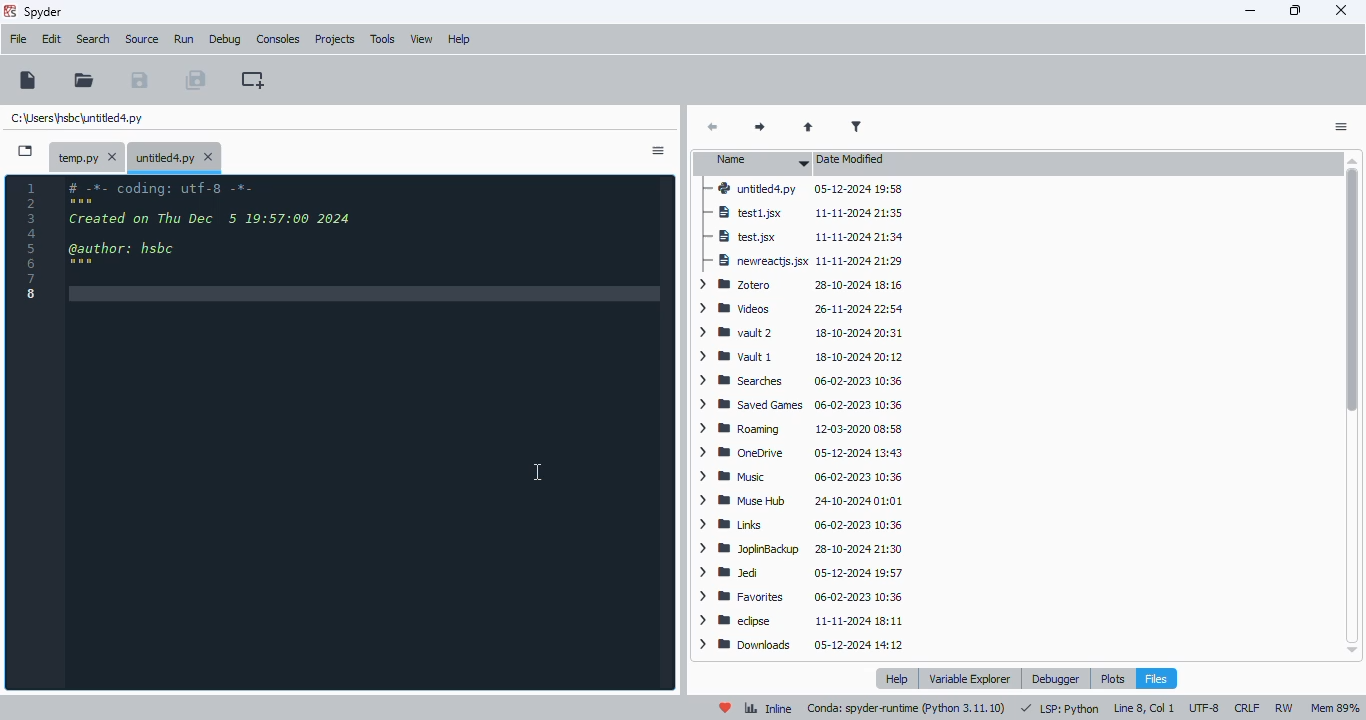 This screenshot has width=1366, height=720. What do you see at coordinates (744, 596) in the screenshot?
I see `Favorites` at bounding box center [744, 596].